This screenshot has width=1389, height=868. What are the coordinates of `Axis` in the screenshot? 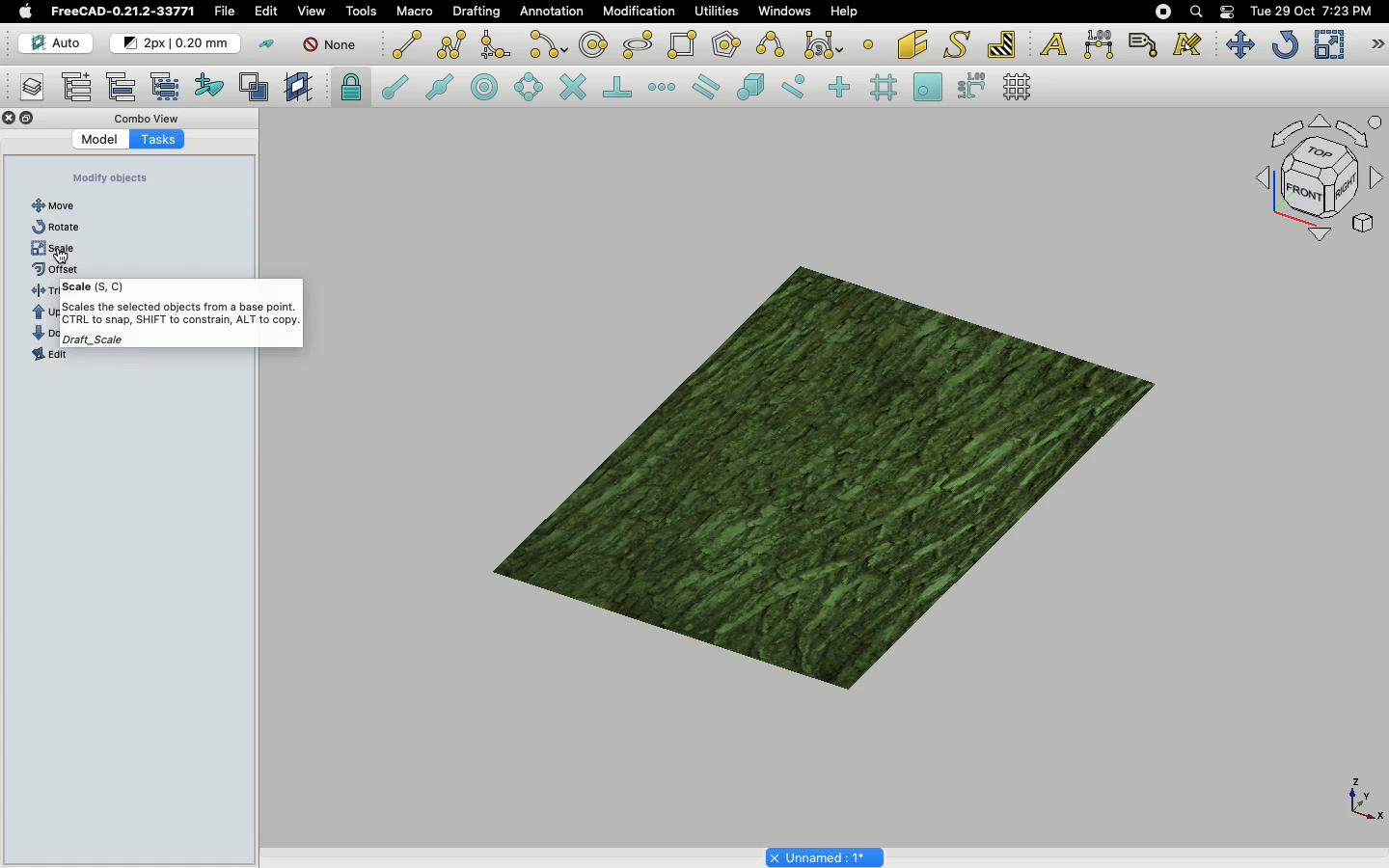 It's located at (1362, 799).